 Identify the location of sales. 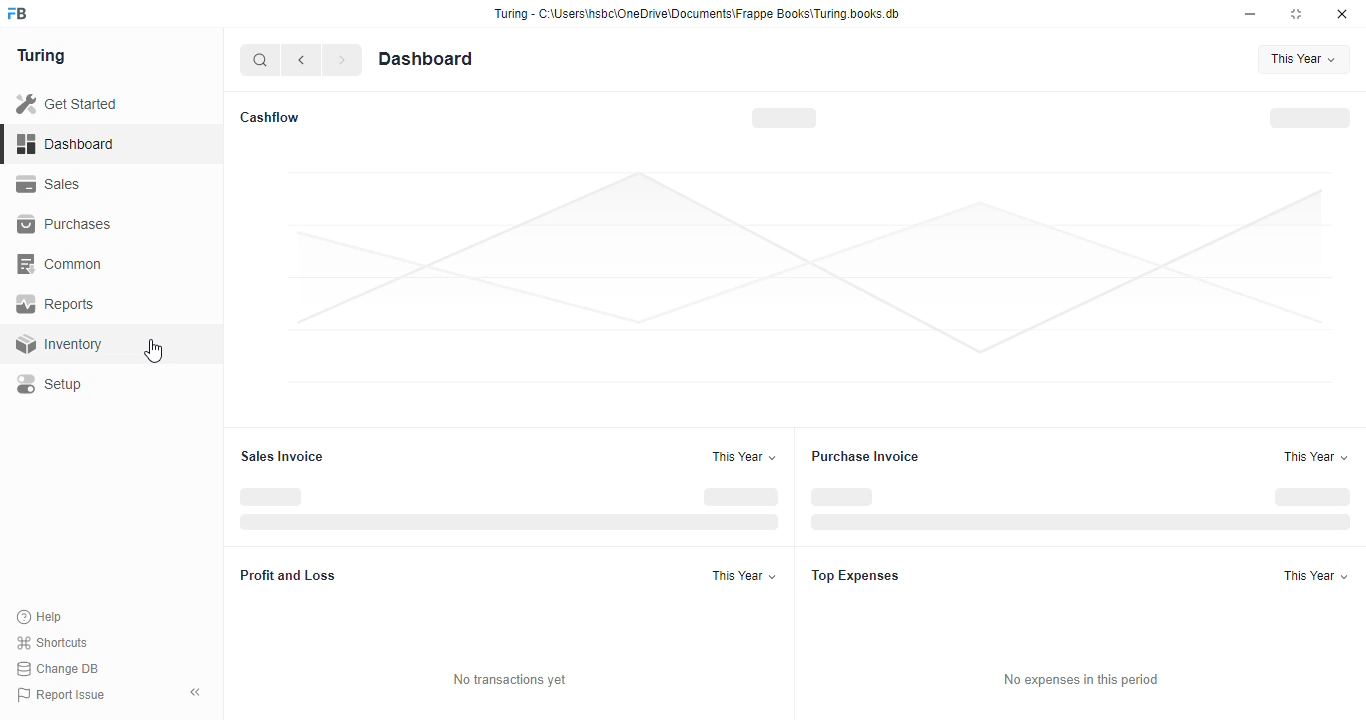
(48, 184).